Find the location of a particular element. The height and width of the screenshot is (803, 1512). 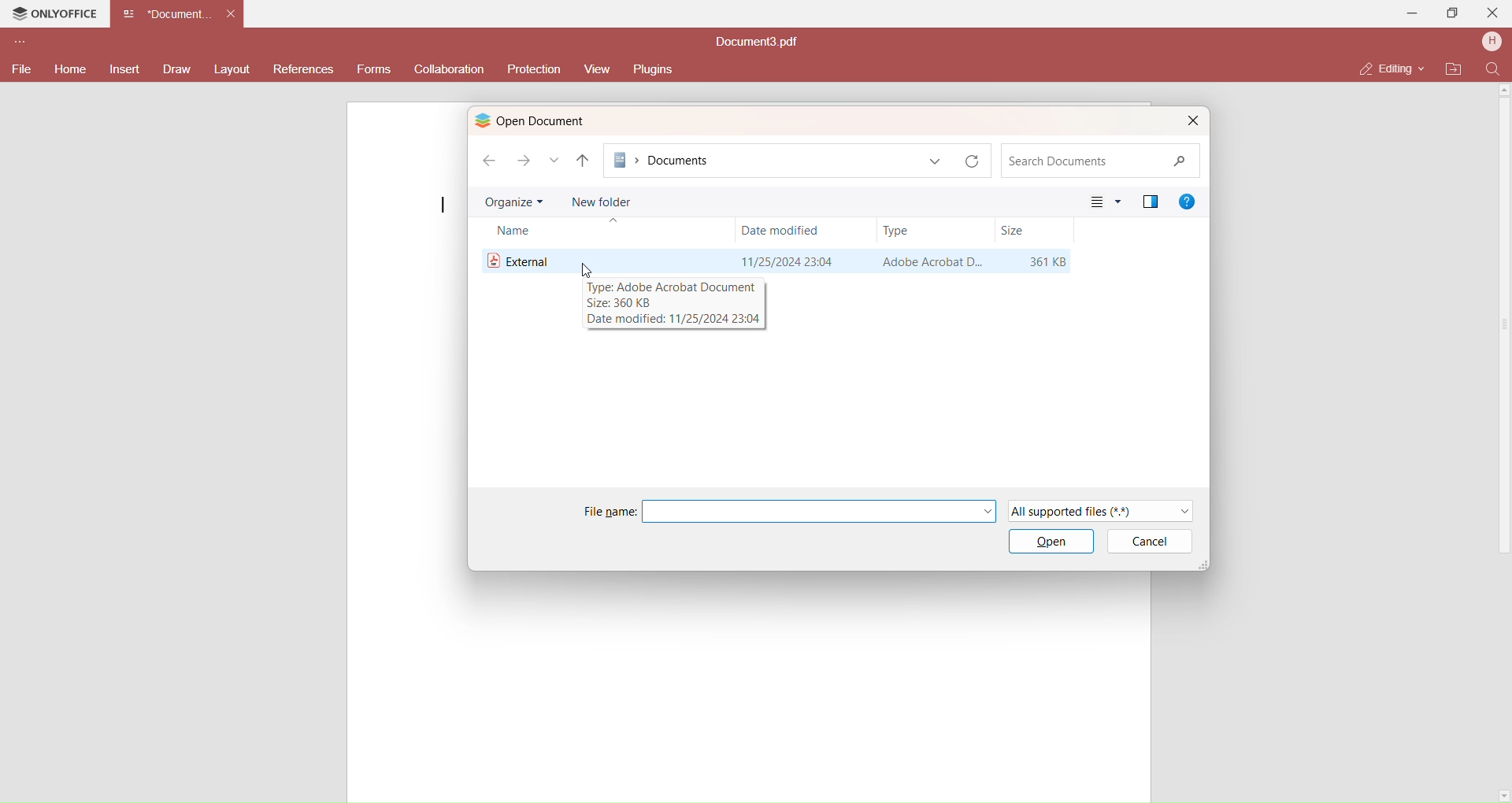

Size is located at coordinates (1047, 262).